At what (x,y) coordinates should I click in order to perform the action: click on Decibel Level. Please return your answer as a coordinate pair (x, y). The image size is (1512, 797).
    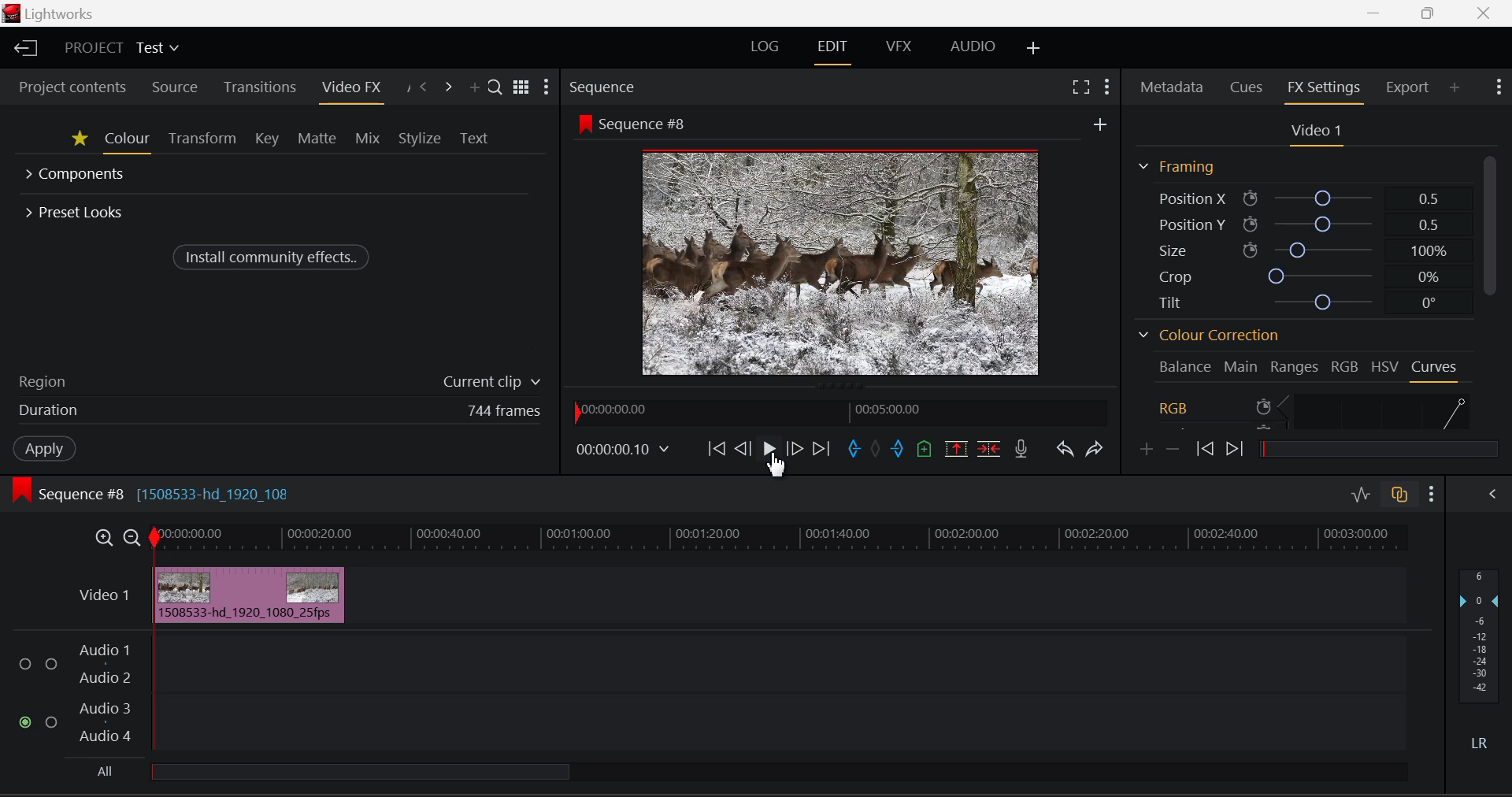
    Looking at the image, I should click on (1478, 656).